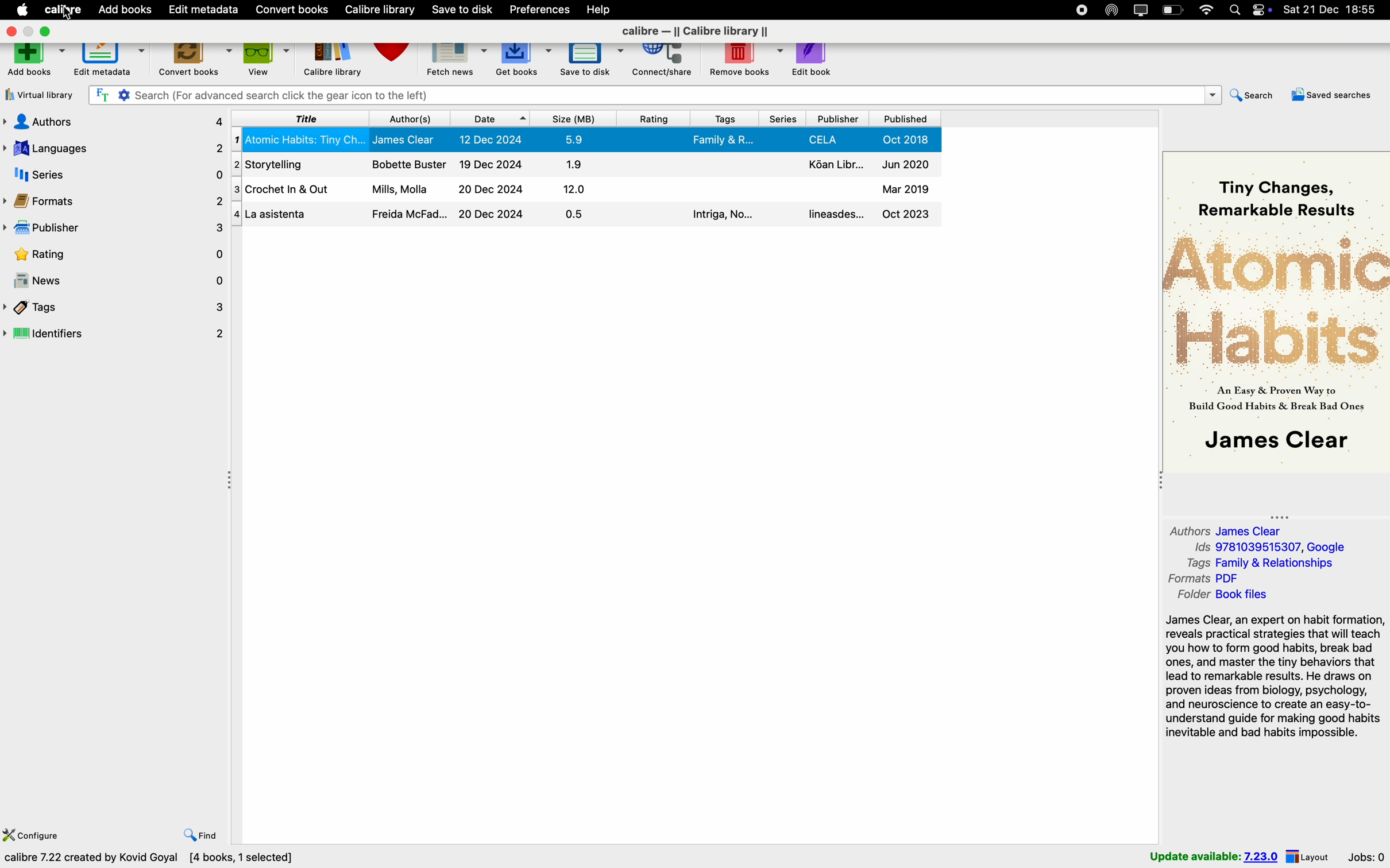 This screenshot has height=868, width=1390. What do you see at coordinates (293, 10) in the screenshot?
I see `convert books` at bounding box center [293, 10].